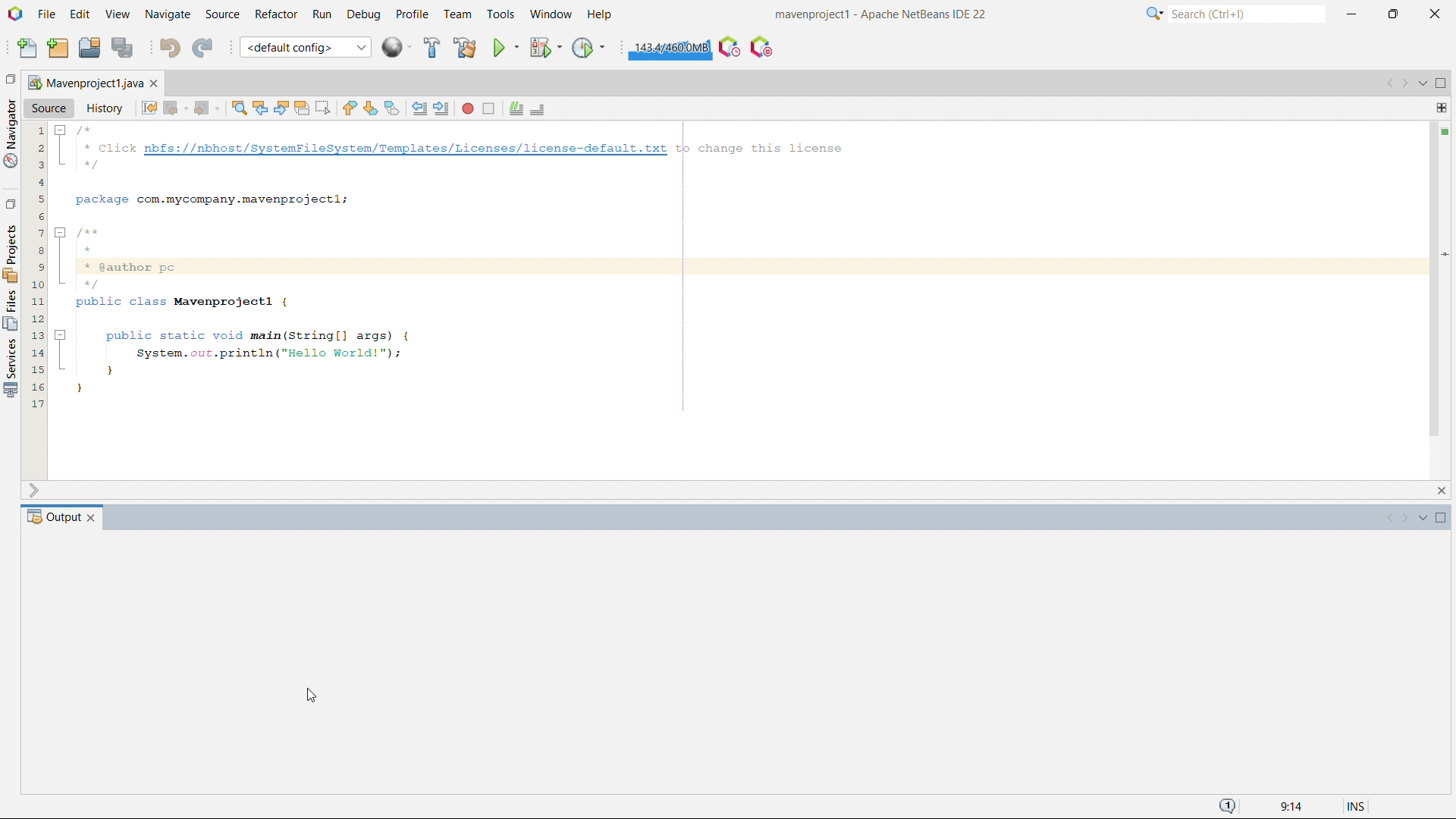  Describe the element at coordinates (305, 46) in the screenshot. I see `set project configuration` at that location.